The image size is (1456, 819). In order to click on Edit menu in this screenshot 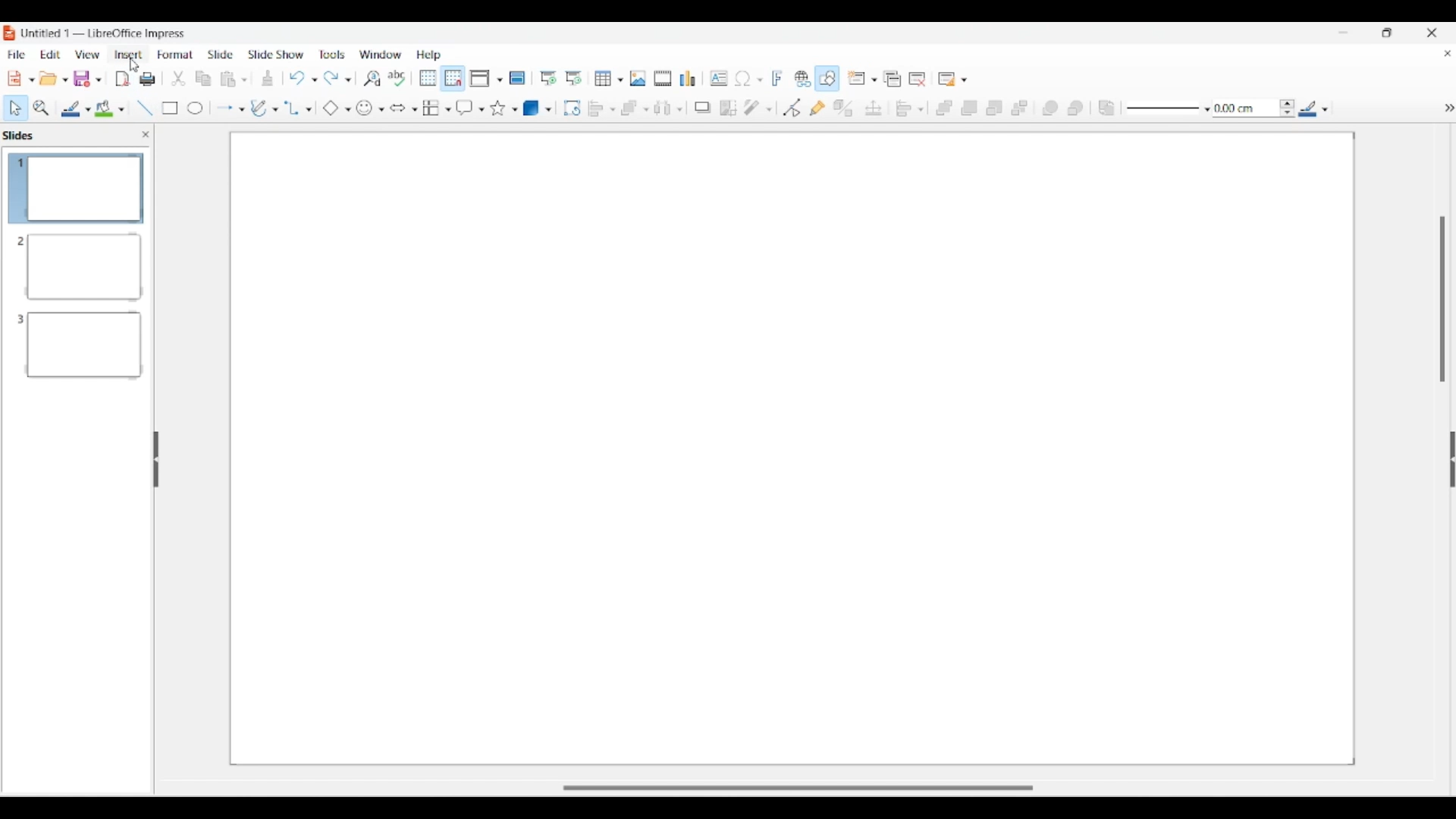, I will do `click(51, 55)`.